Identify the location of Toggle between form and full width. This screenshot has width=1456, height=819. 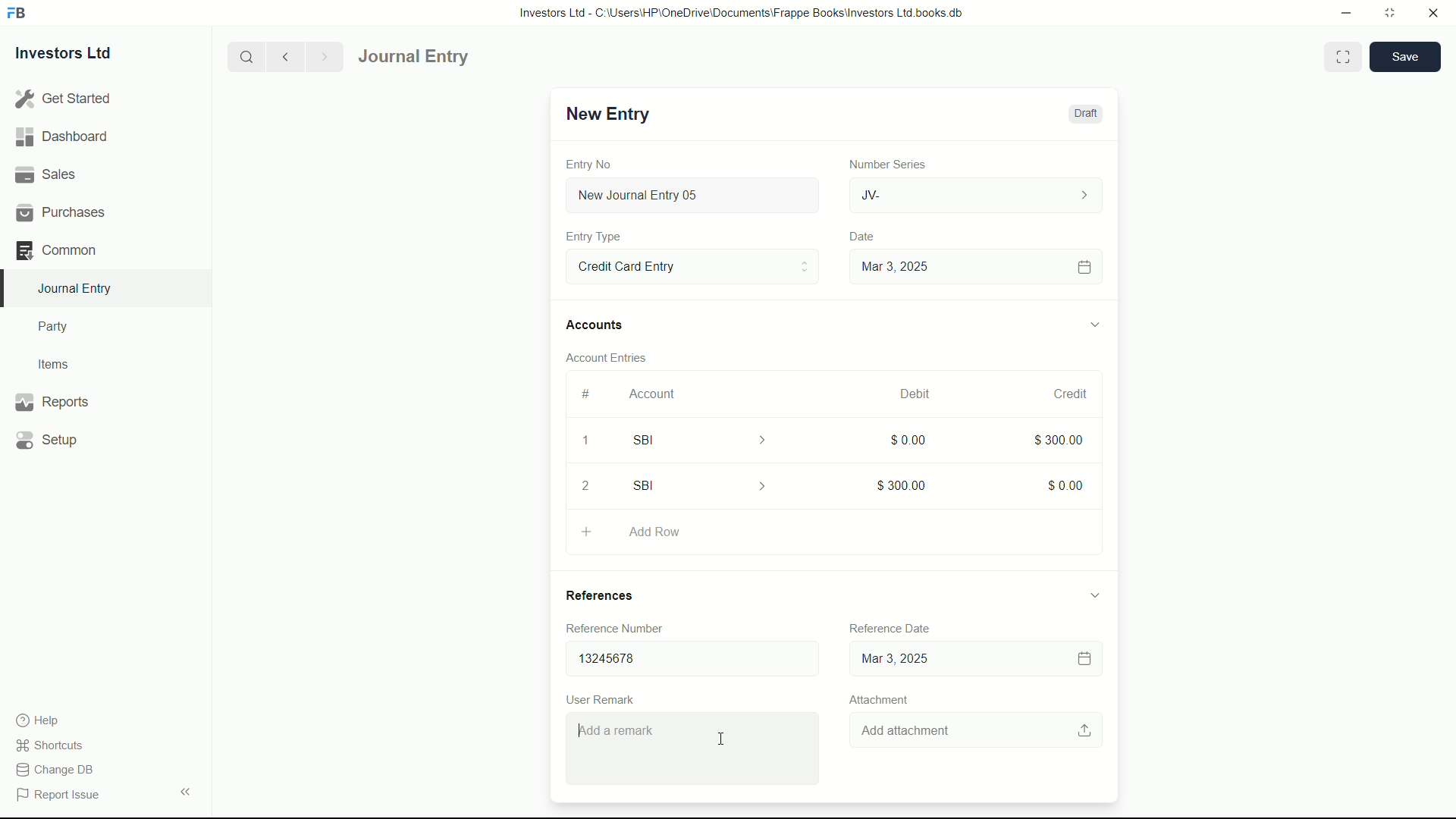
(1344, 57).